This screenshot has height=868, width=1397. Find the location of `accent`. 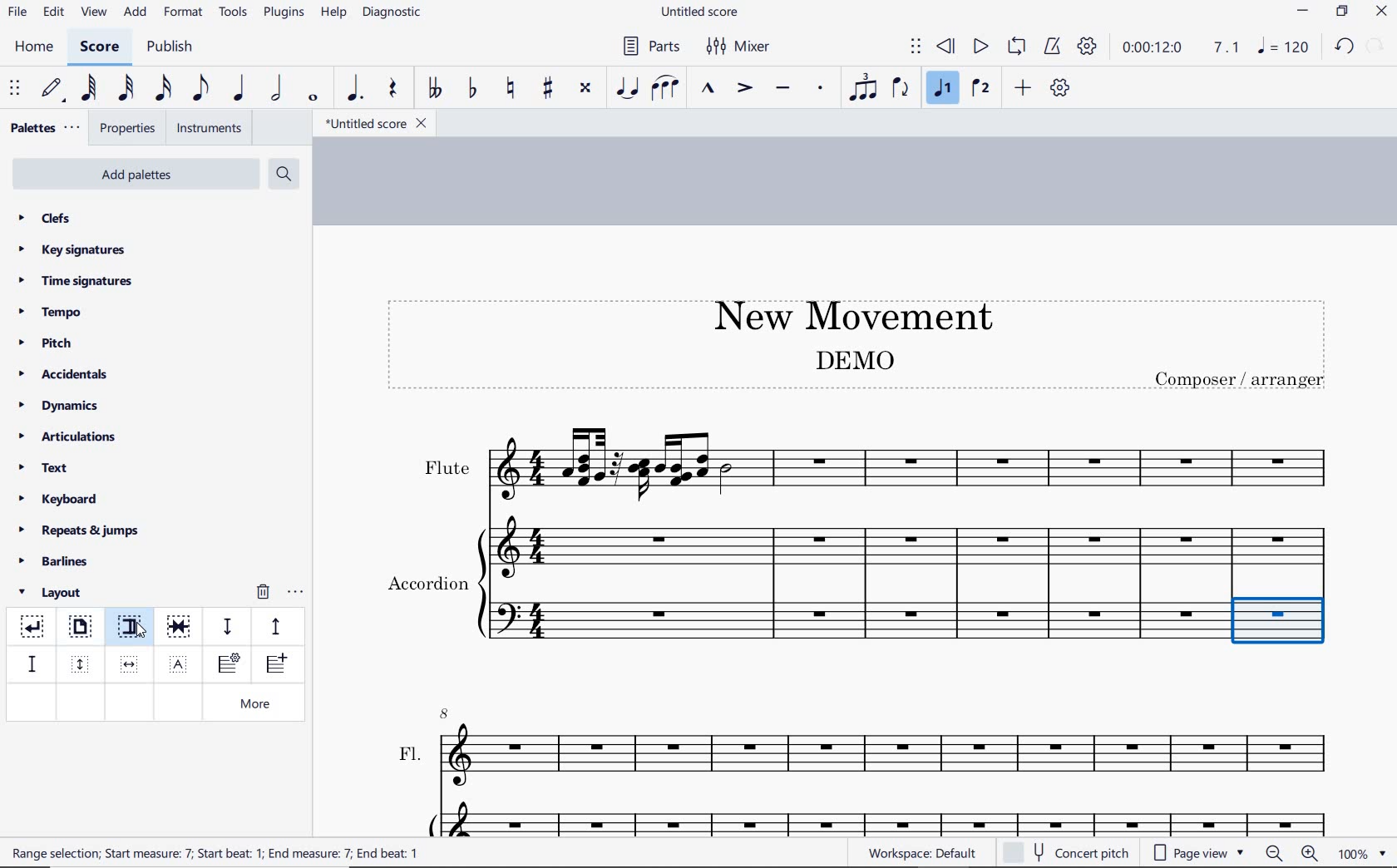

accent is located at coordinates (744, 88).